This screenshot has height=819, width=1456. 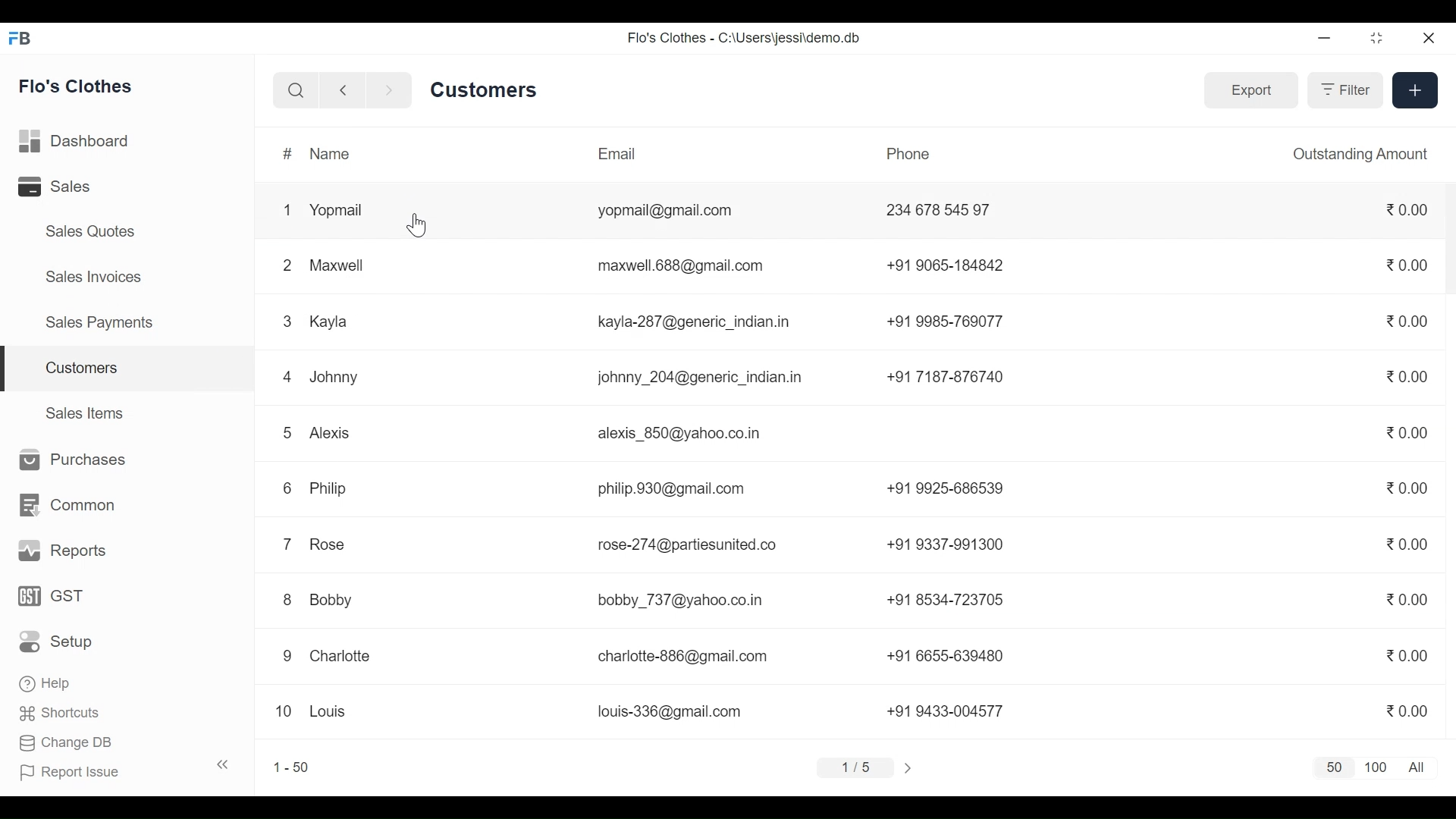 What do you see at coordinates (1426, 37) in the screenshot?
I see `Close` at bounding box center [1426, 37].